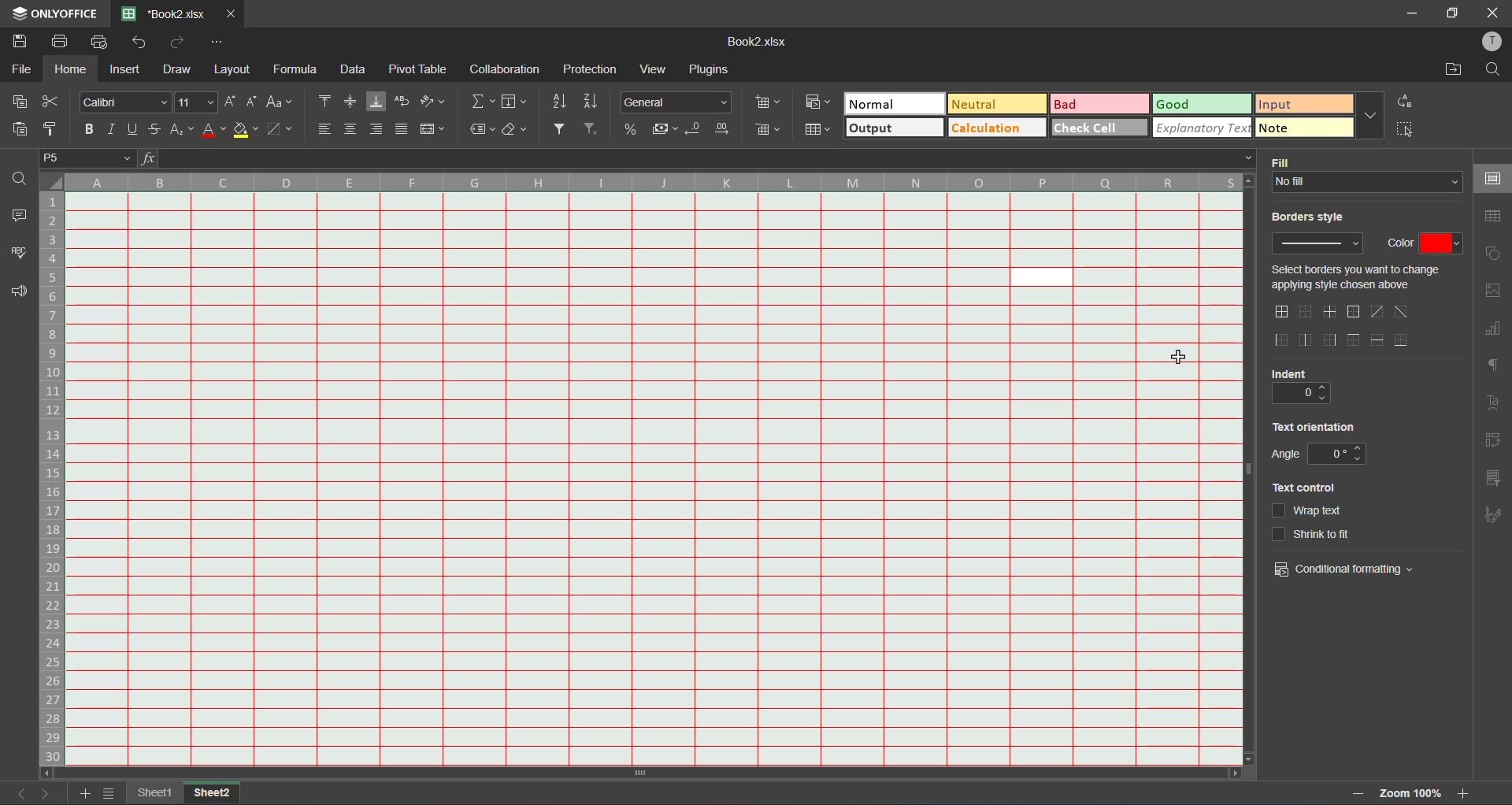 This screenshot has height=805, width=1512. Describe the element at coordinates (502, 69) in the screenshot. I see `collaboration` at that location.